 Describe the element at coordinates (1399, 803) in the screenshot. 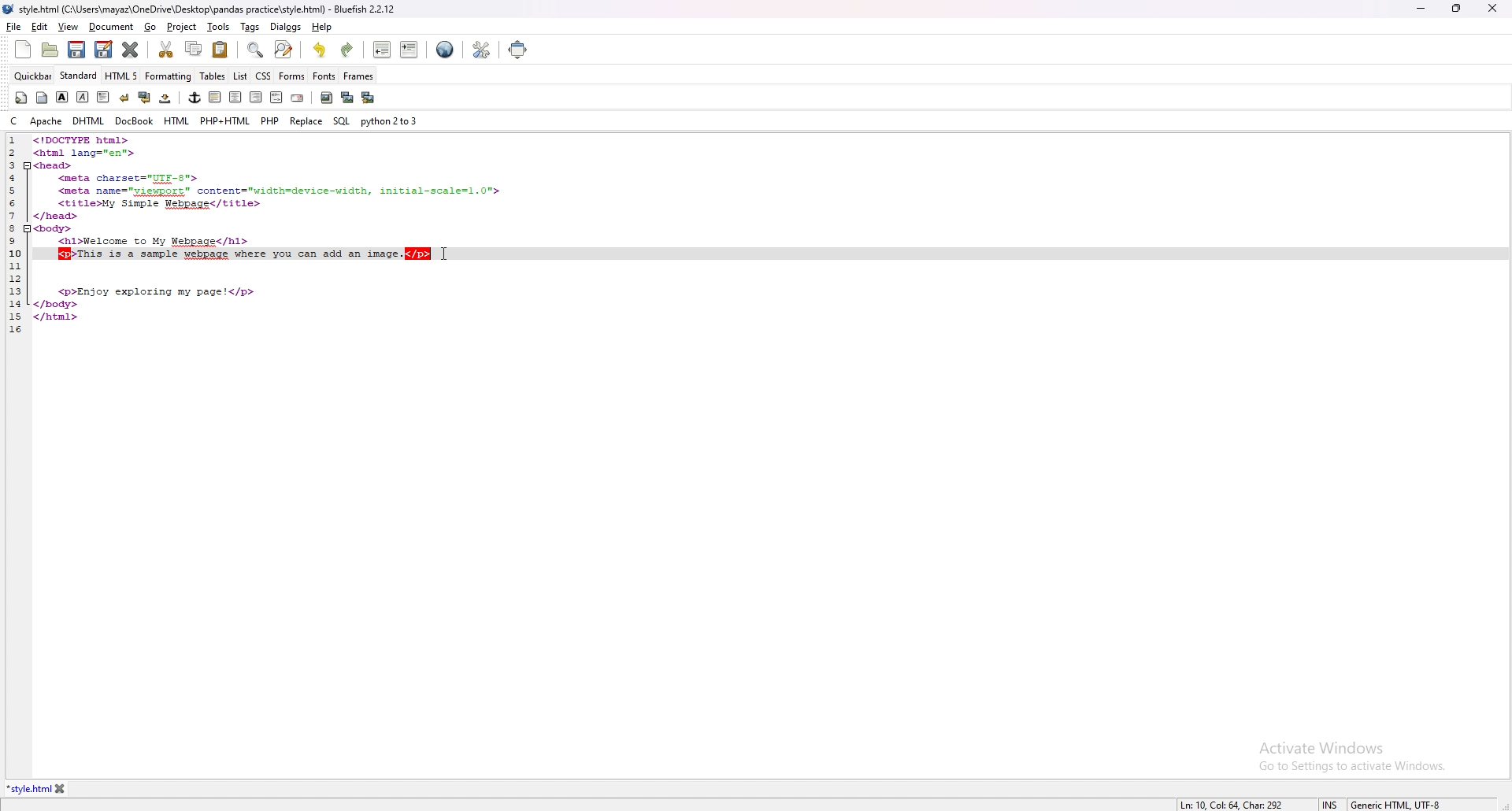

I see `Generic HTML UTF-8` at that location.